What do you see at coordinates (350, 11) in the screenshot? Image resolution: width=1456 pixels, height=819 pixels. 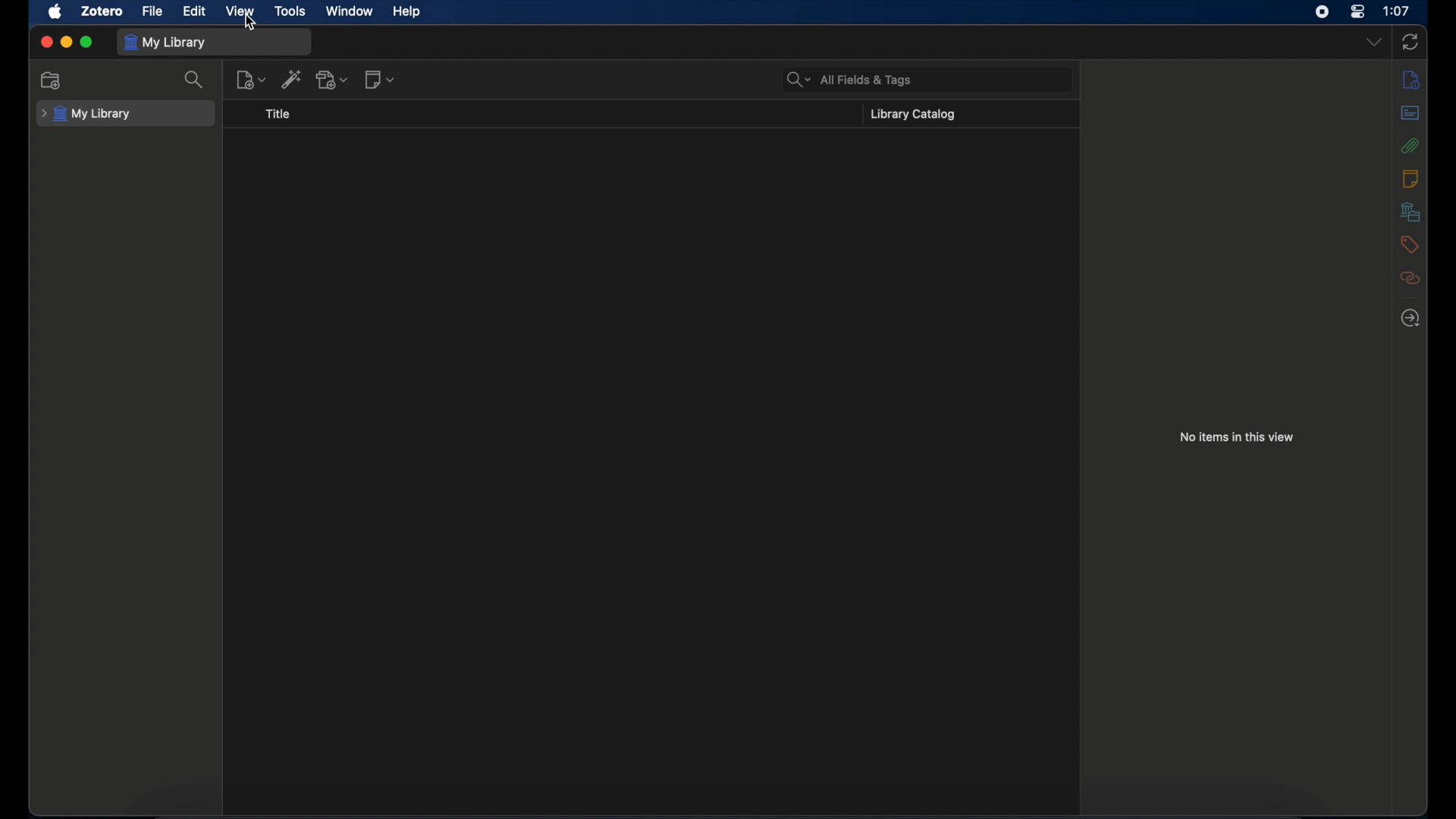 I see `window` at bounding box center [350, 11].